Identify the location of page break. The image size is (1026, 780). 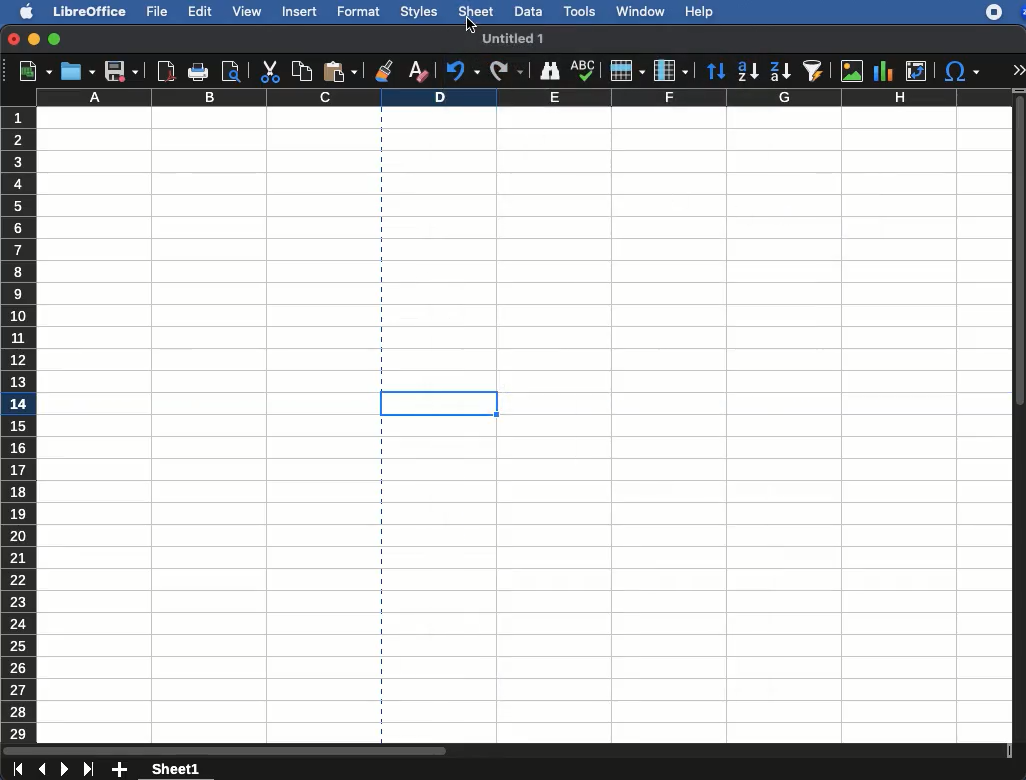
(381, 244).